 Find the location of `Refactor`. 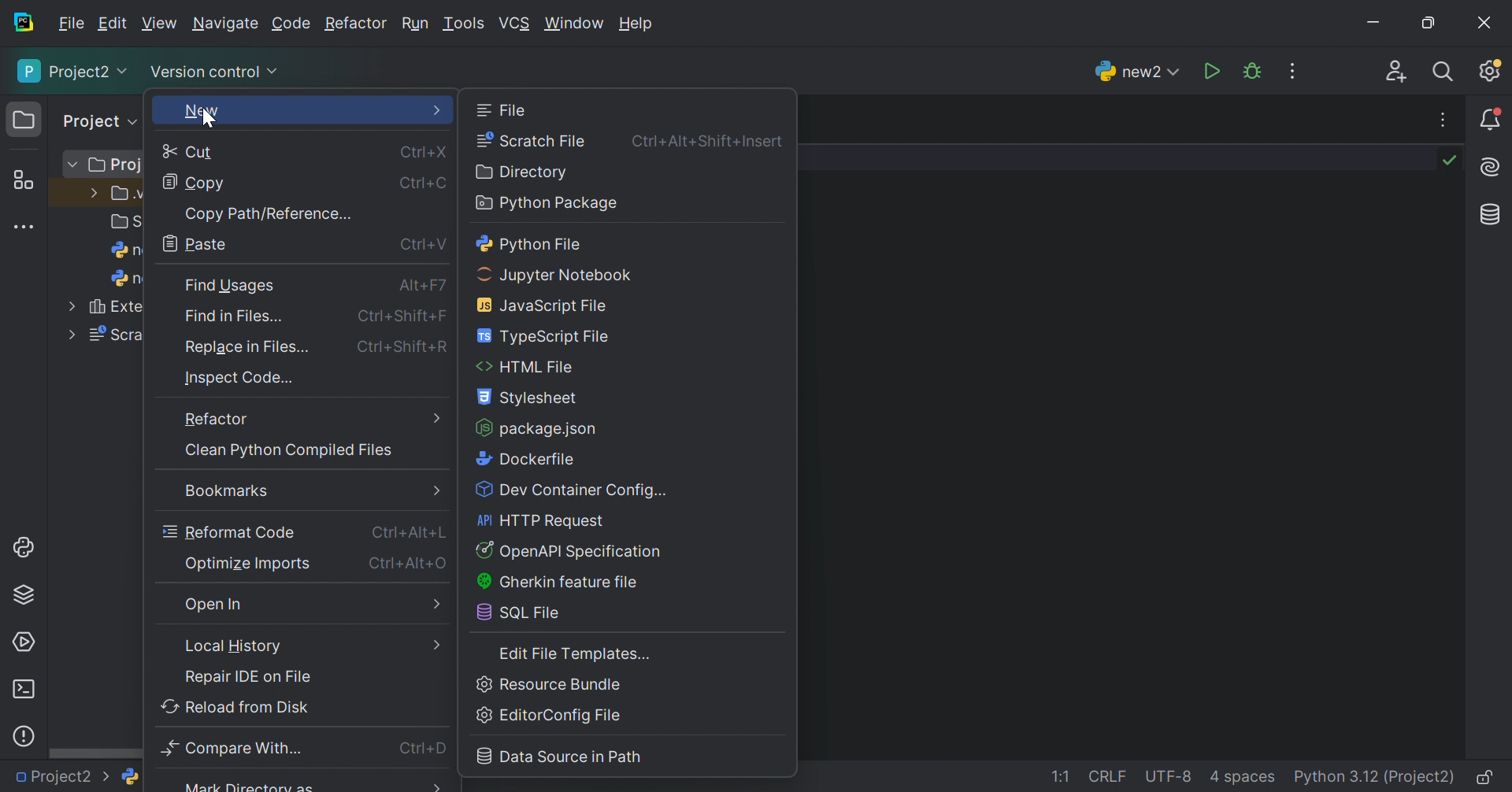

Refactor is located at coordinates (359, 23).